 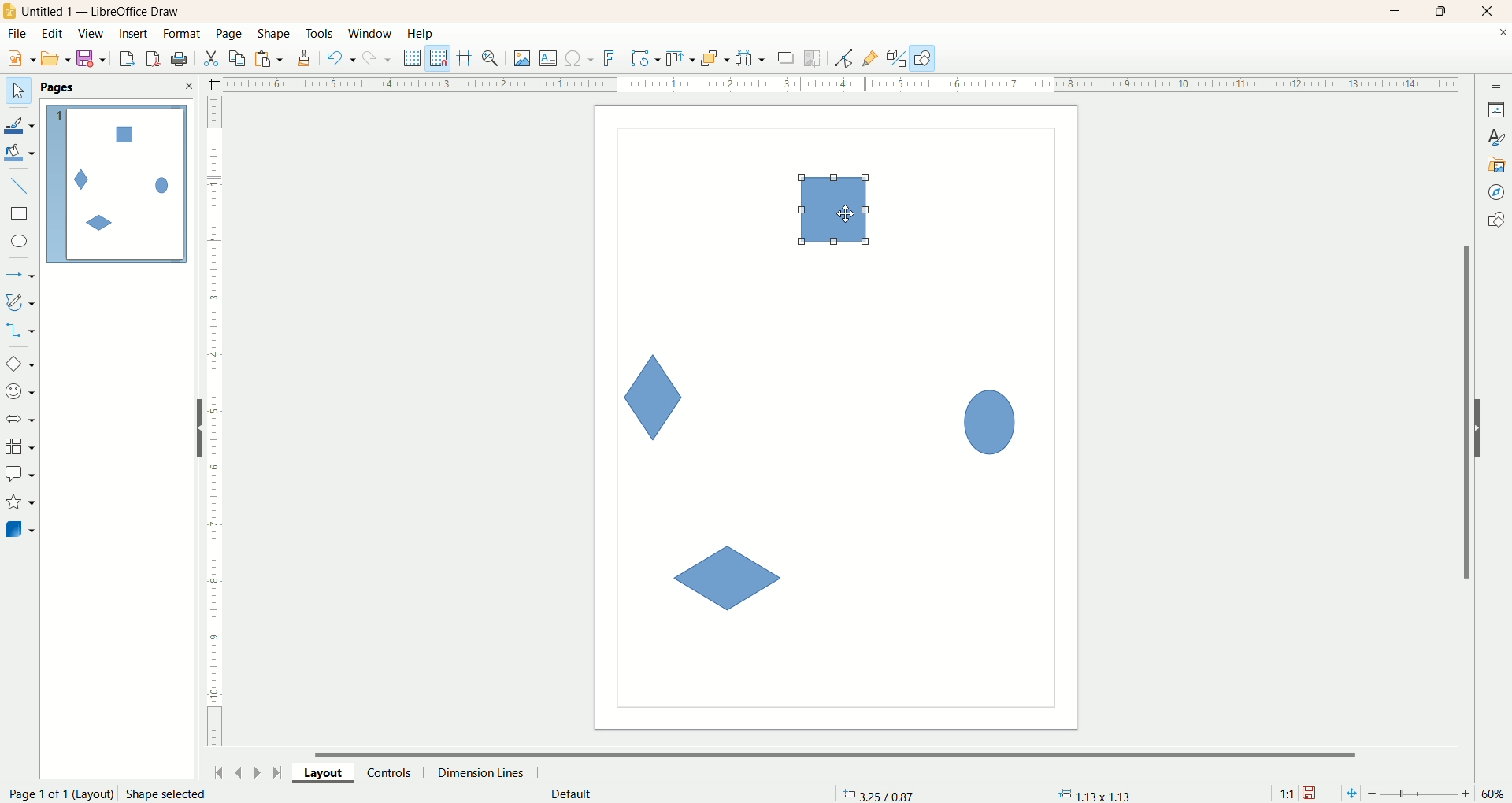 What do you see at coordinates (845, 753) in the screenshot?
I see `horizontal scroll bar` at bounding box center [845, 753].